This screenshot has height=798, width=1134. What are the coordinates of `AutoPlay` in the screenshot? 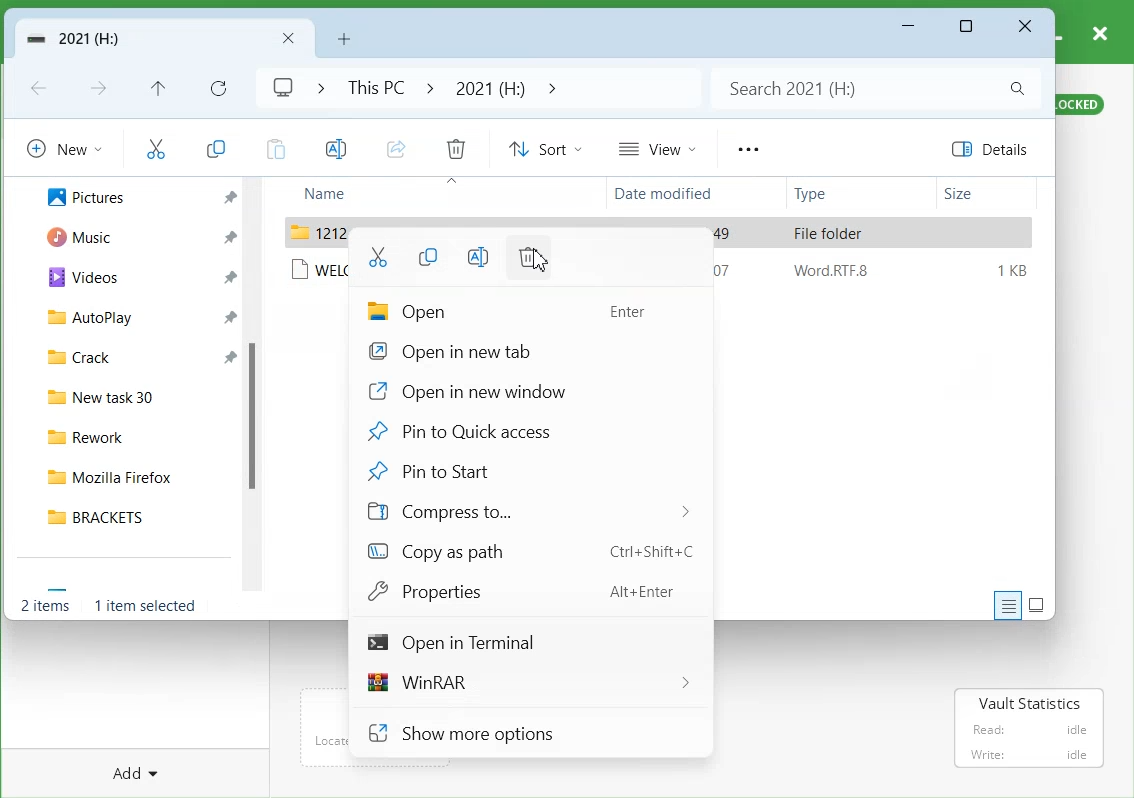 It's located at (89, 320).